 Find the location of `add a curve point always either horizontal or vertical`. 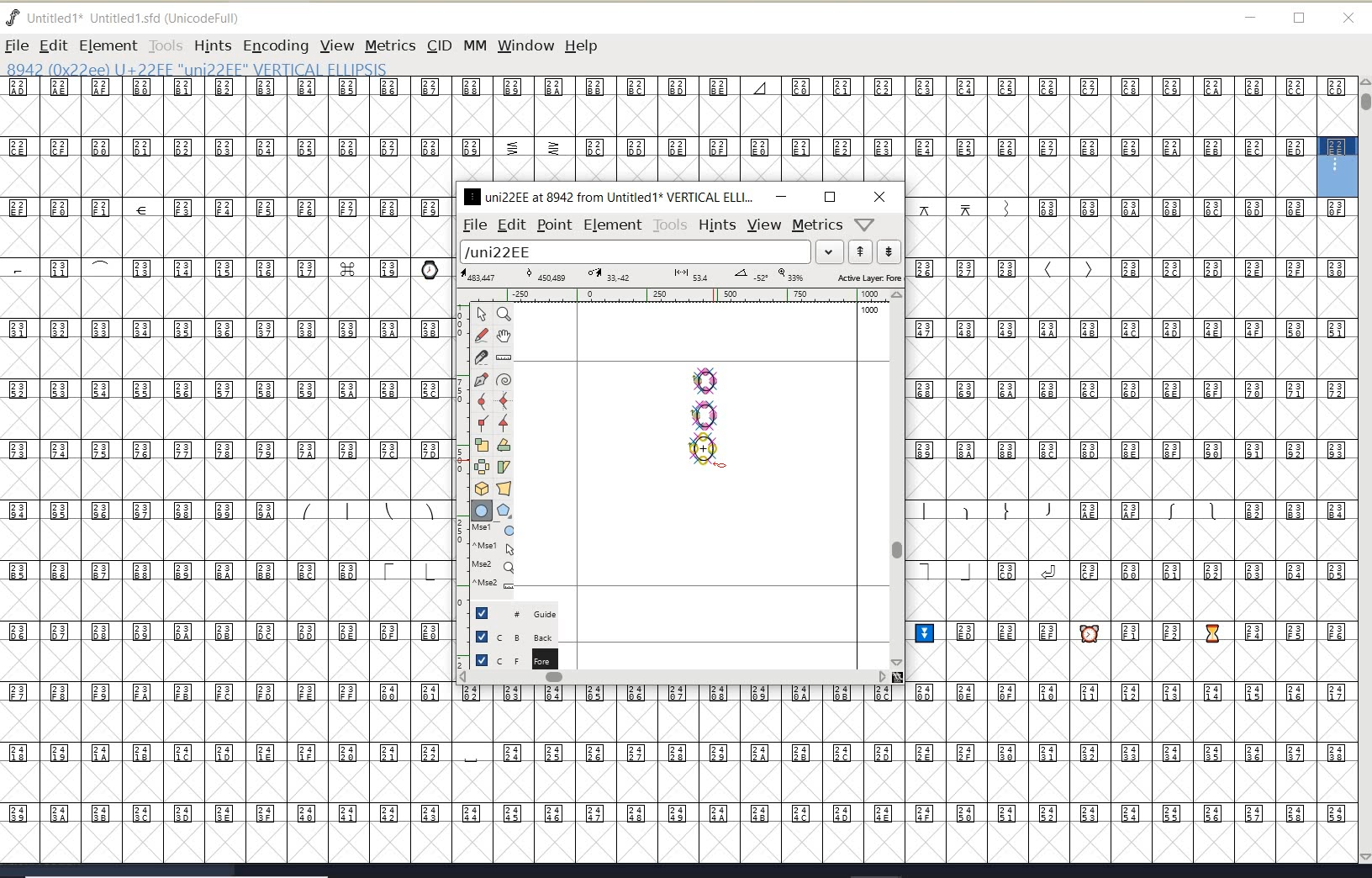

add a curve point always either horizontal or vertical is located at coordinates (502, 400).